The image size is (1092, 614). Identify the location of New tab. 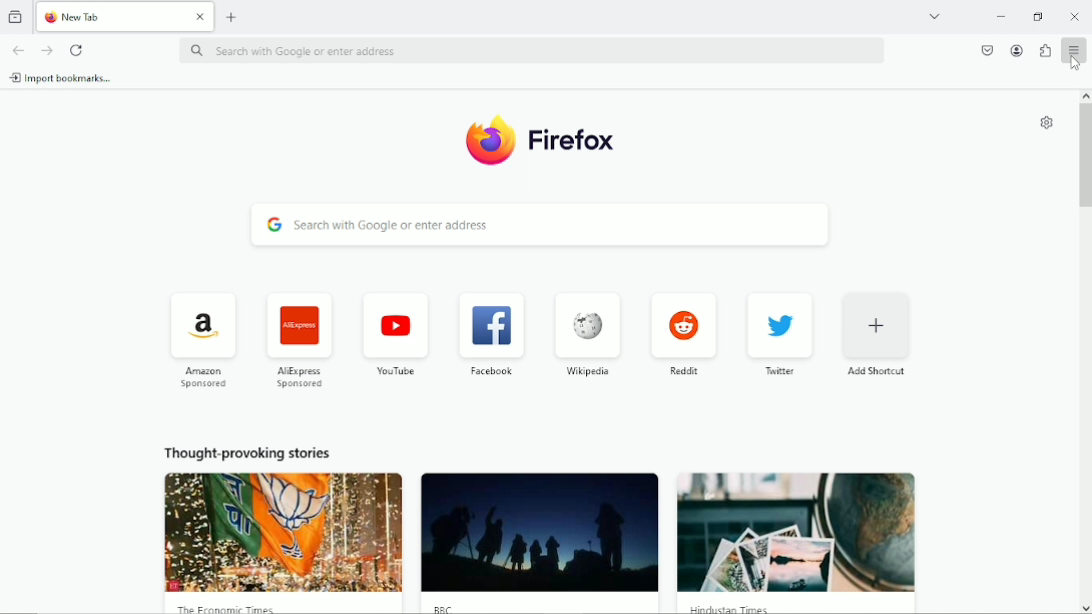
(234, 16).